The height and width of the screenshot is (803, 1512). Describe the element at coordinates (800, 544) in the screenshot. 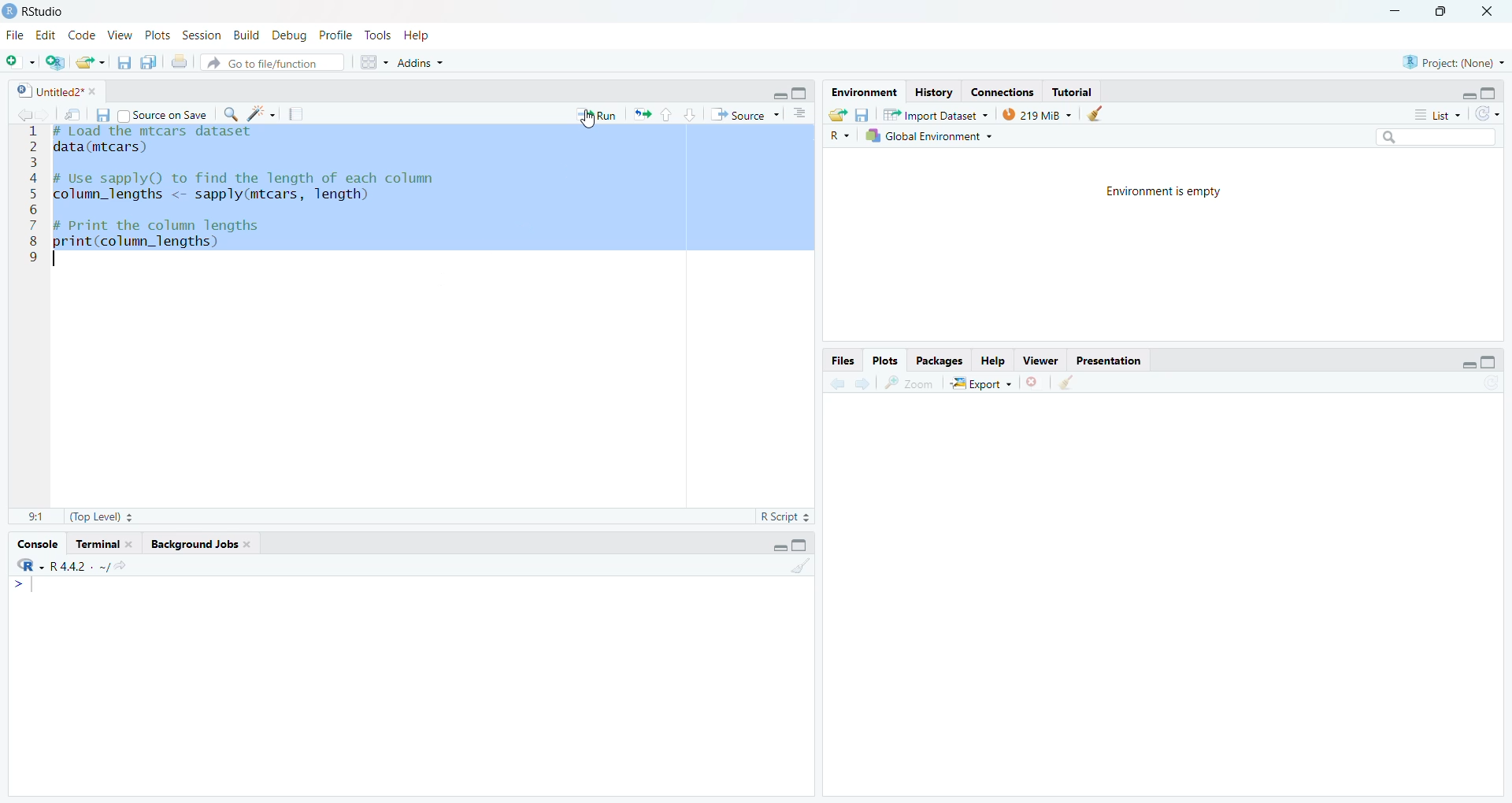

I see `Full Height` at that location.